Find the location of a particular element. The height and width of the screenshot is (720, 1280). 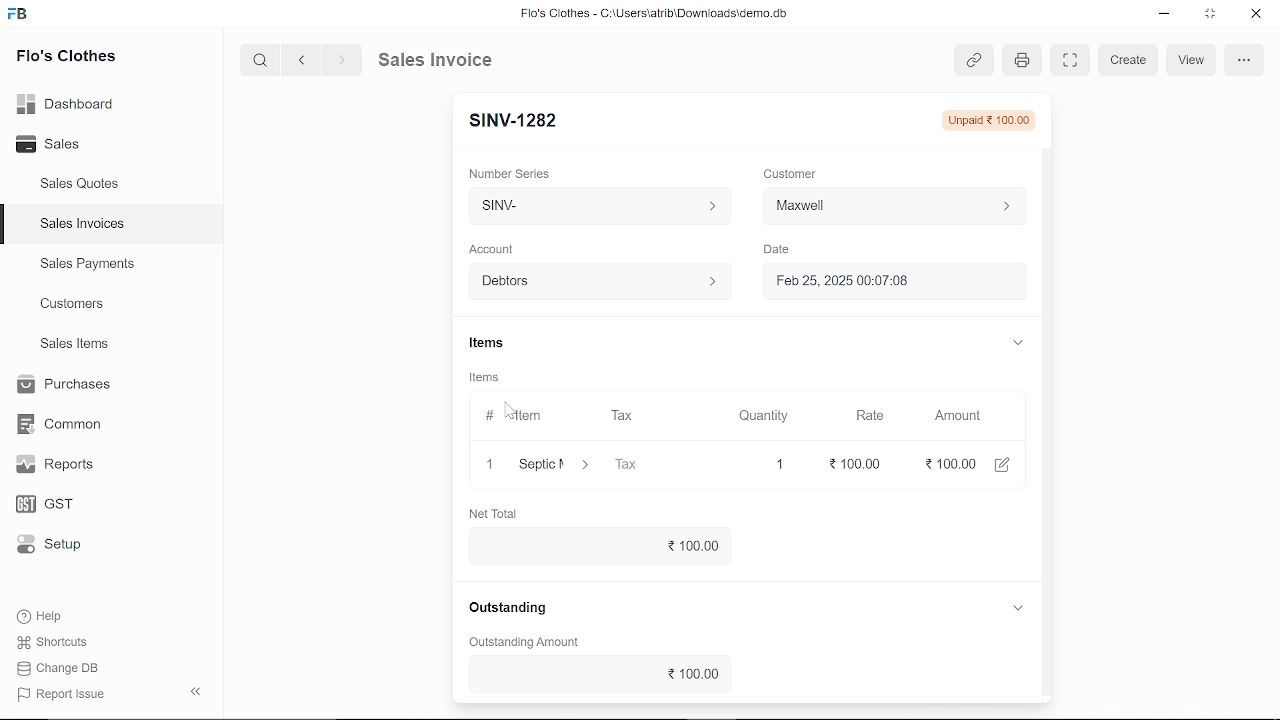

Outstanding is located at coordinates (510, 610).